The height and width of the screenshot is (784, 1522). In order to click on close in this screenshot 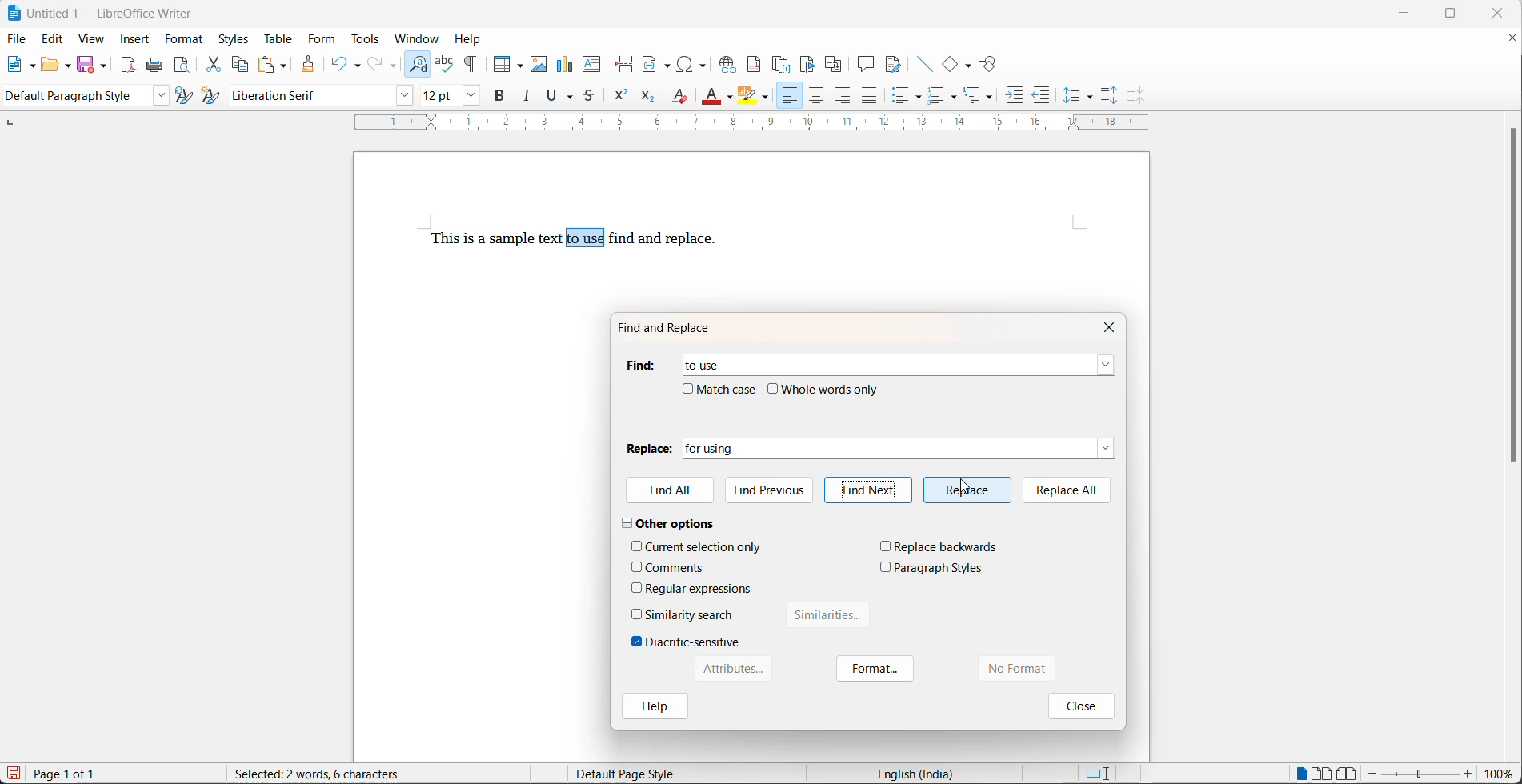, I will do `click(1079, 705)`.